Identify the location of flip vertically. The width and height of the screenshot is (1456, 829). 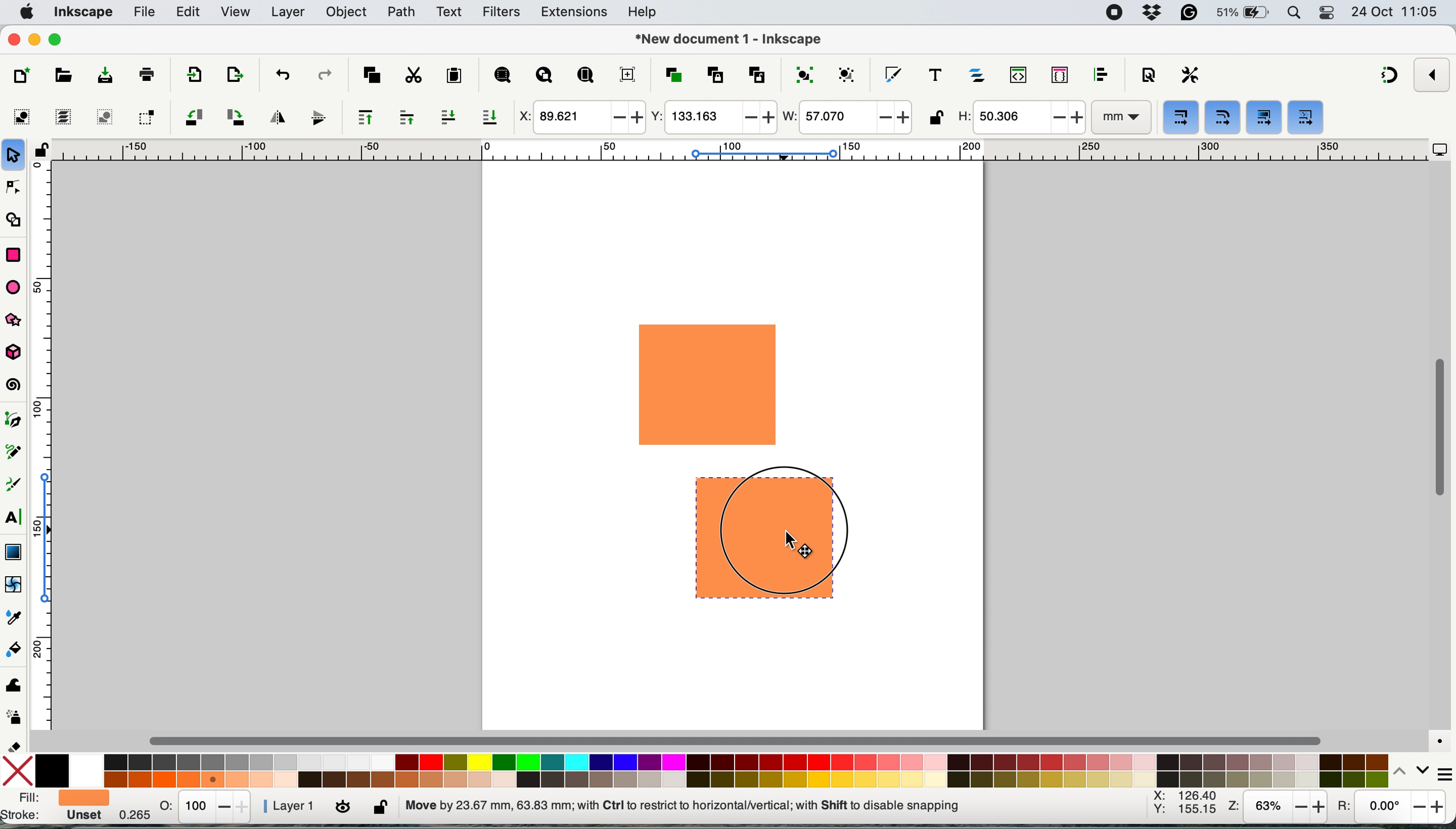
(314, 117).